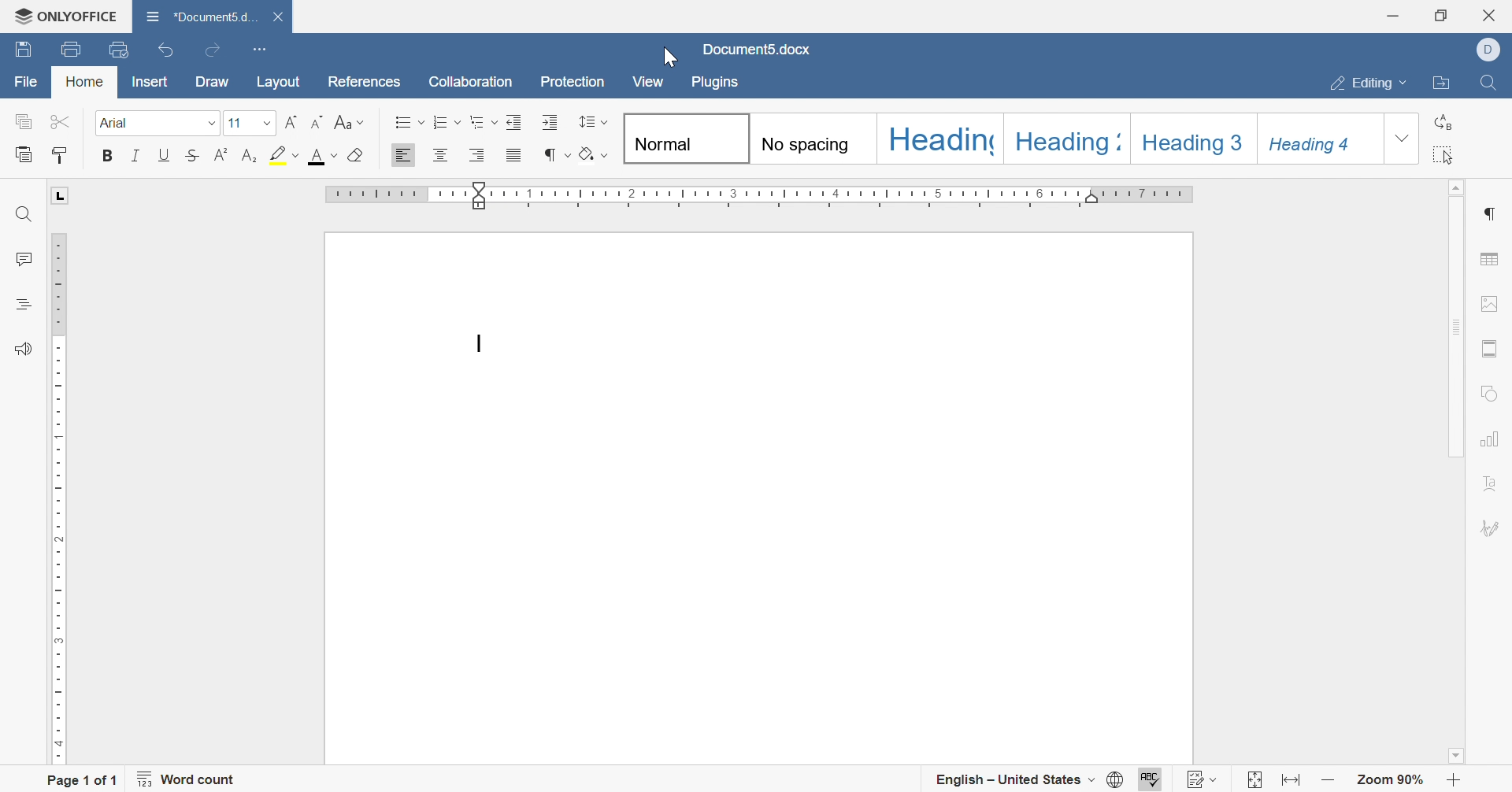  Describe the element at coordinates (1017, 778) in the screenshot. I see `set text language` at that location.